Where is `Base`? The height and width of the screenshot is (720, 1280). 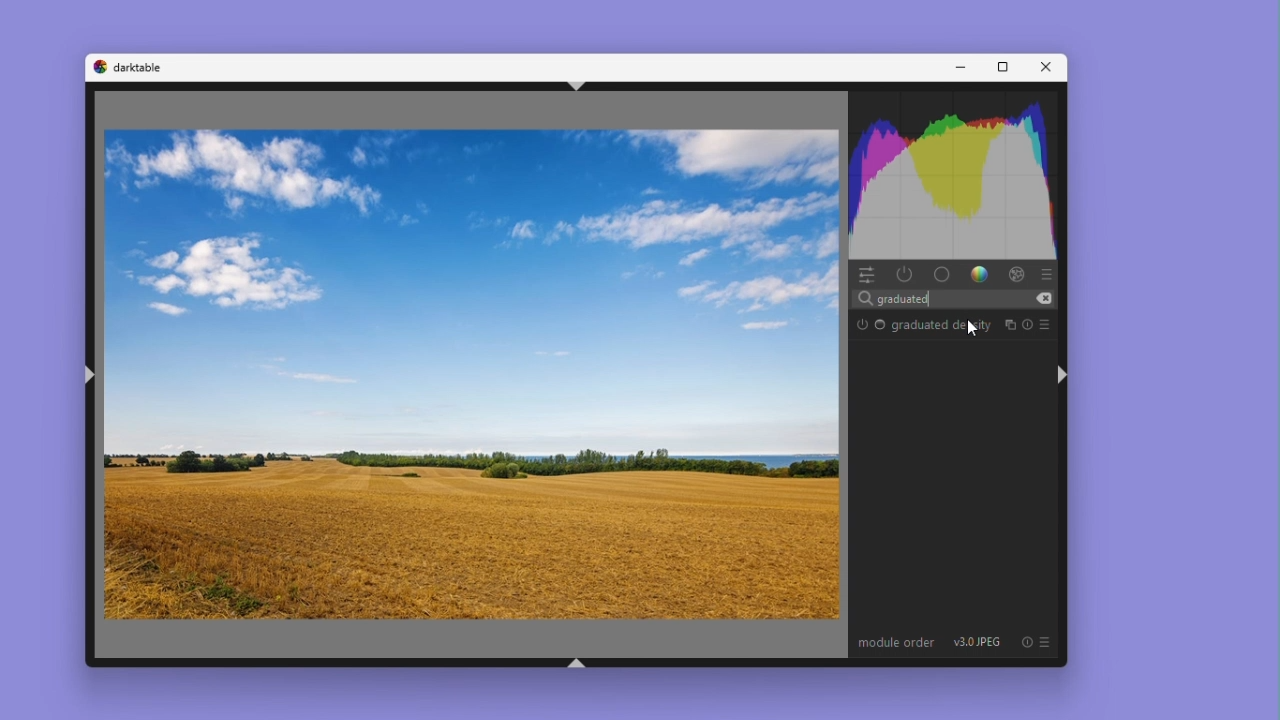
Base is located at coordinates (881, 326).